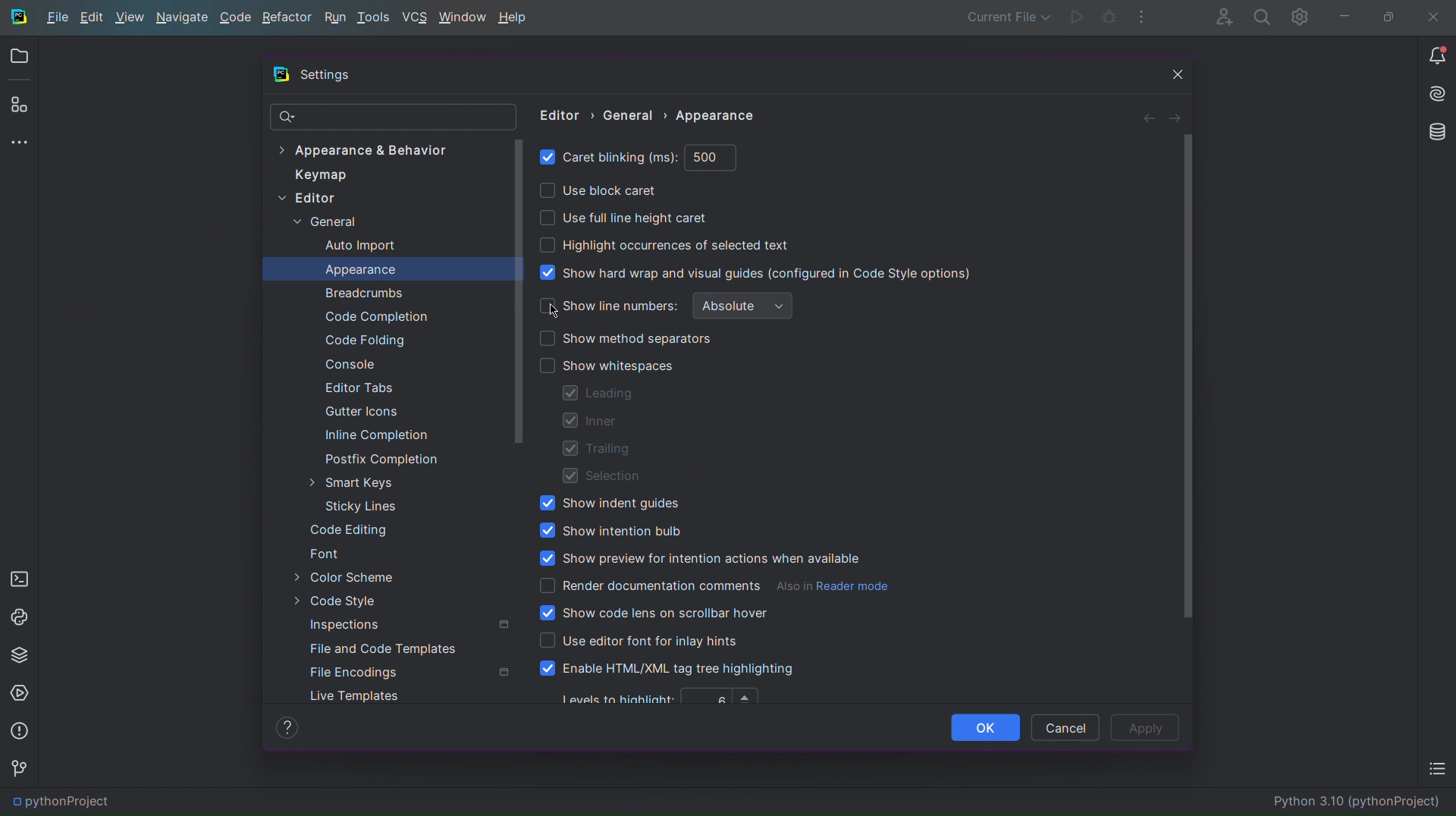 This screenshot has width=1456, height=816. What do you see at coordinates (654, 614) in the screenshot?
I see `Show code lens on scrollbar hover` at bounding box center [654, 614].